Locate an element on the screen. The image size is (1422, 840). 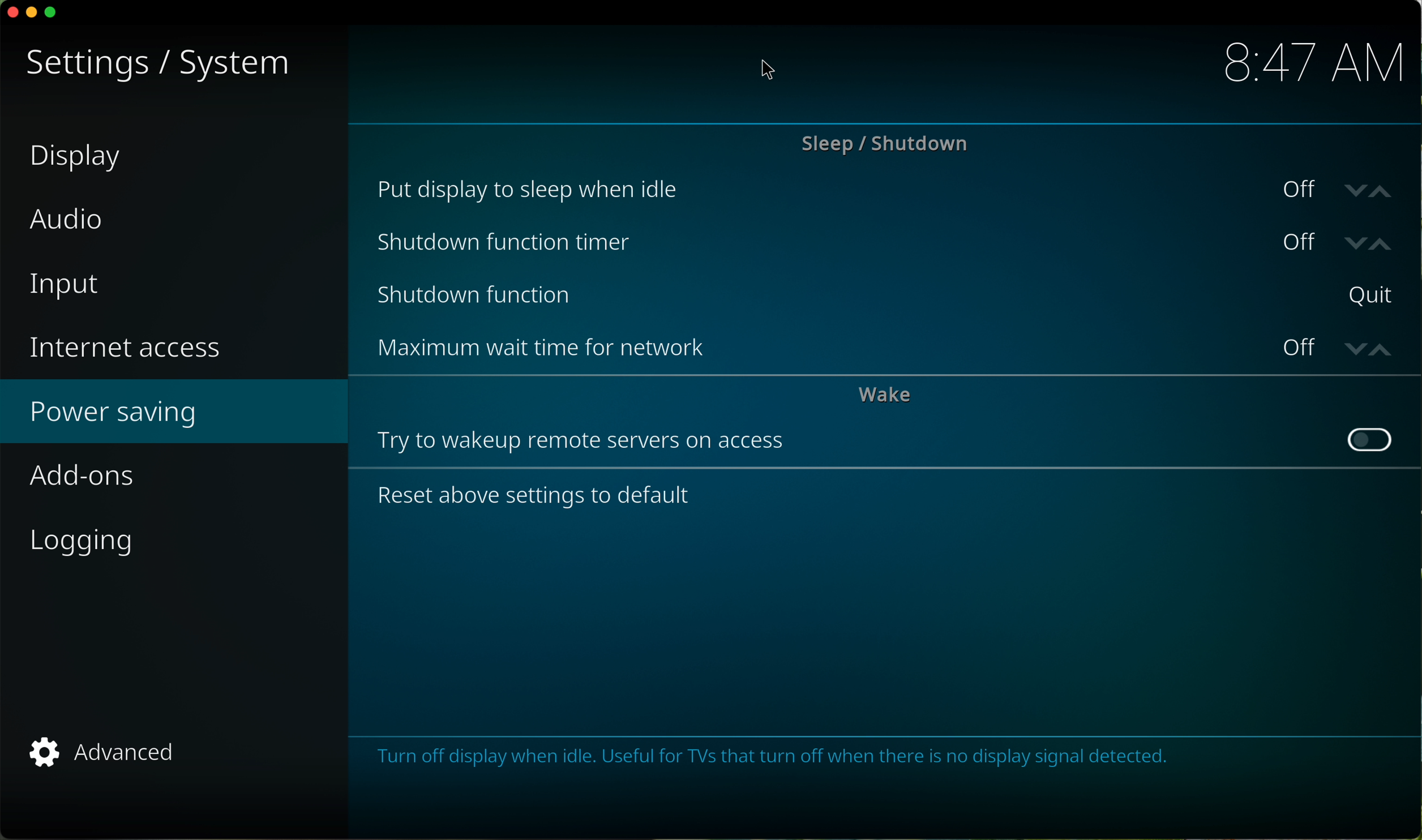
manage dependencies is located at coordinates (881, 294).